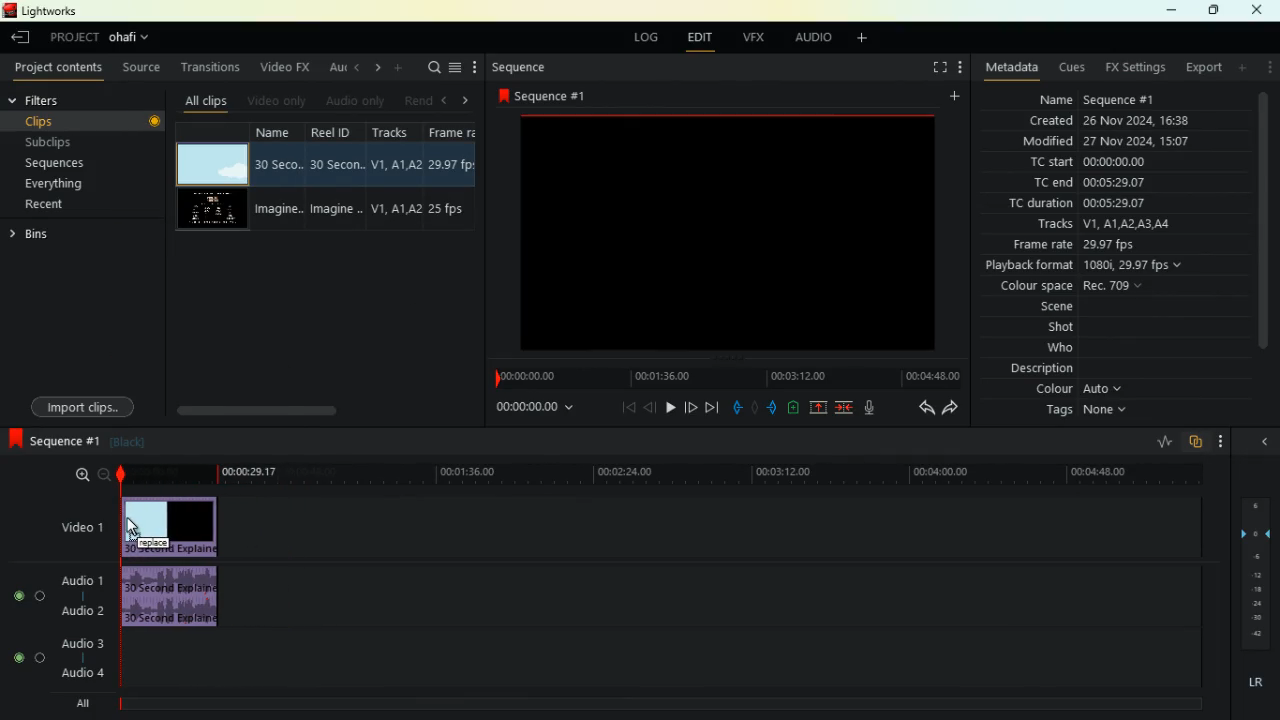  Describe the element at coordinates (39, 236) in the screenshot. I see `bins` at that location.